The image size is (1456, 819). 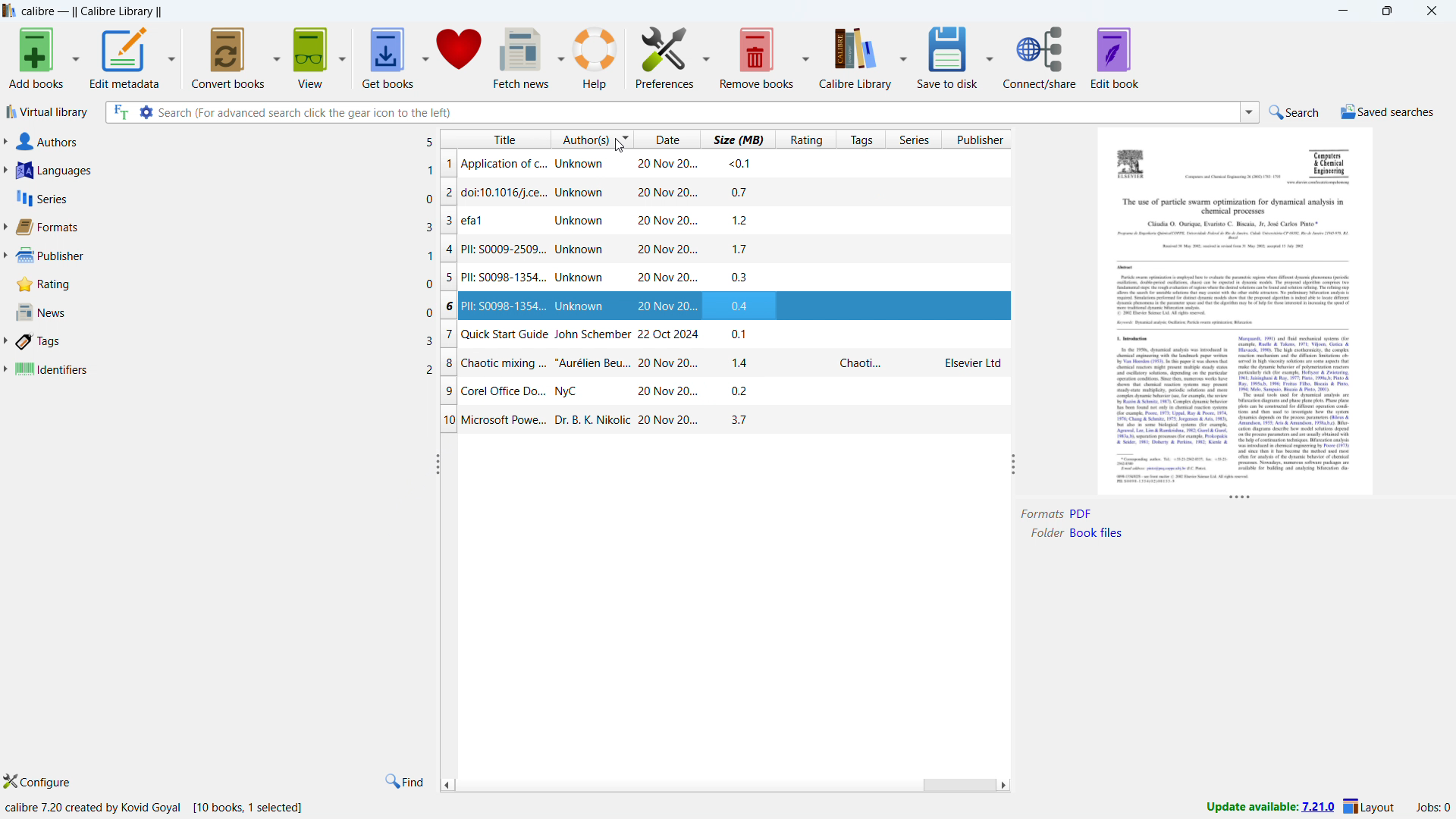 I want to click on sort by title, so click(x=494, y=139).